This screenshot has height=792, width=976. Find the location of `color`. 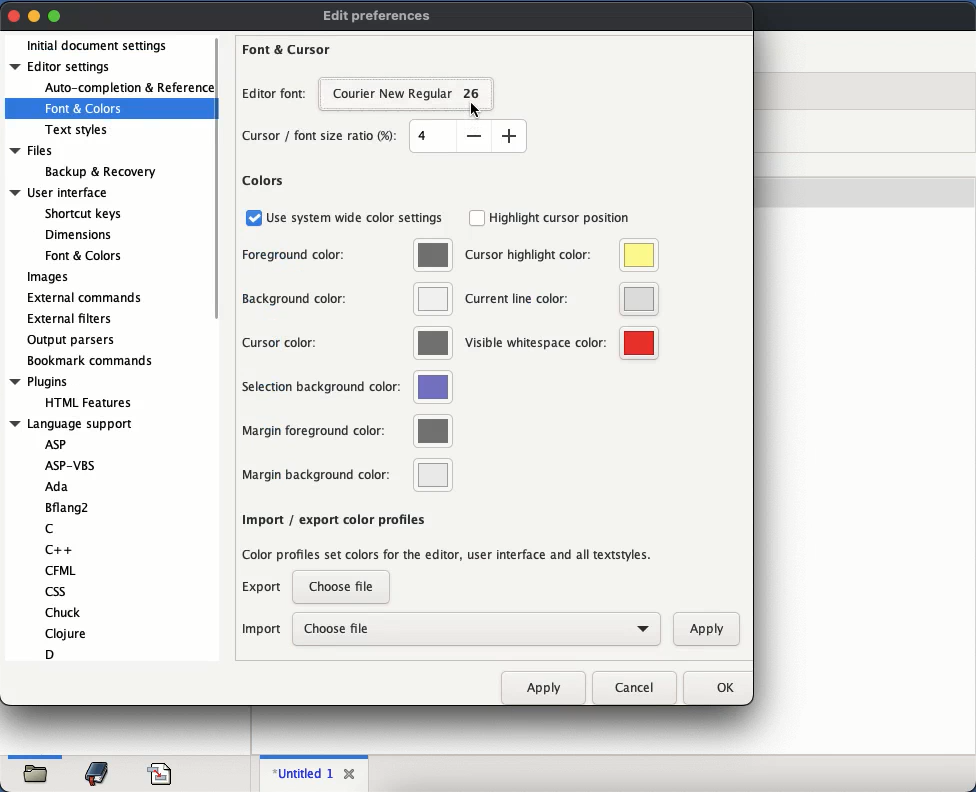

color is located at coordinates (434, 431).